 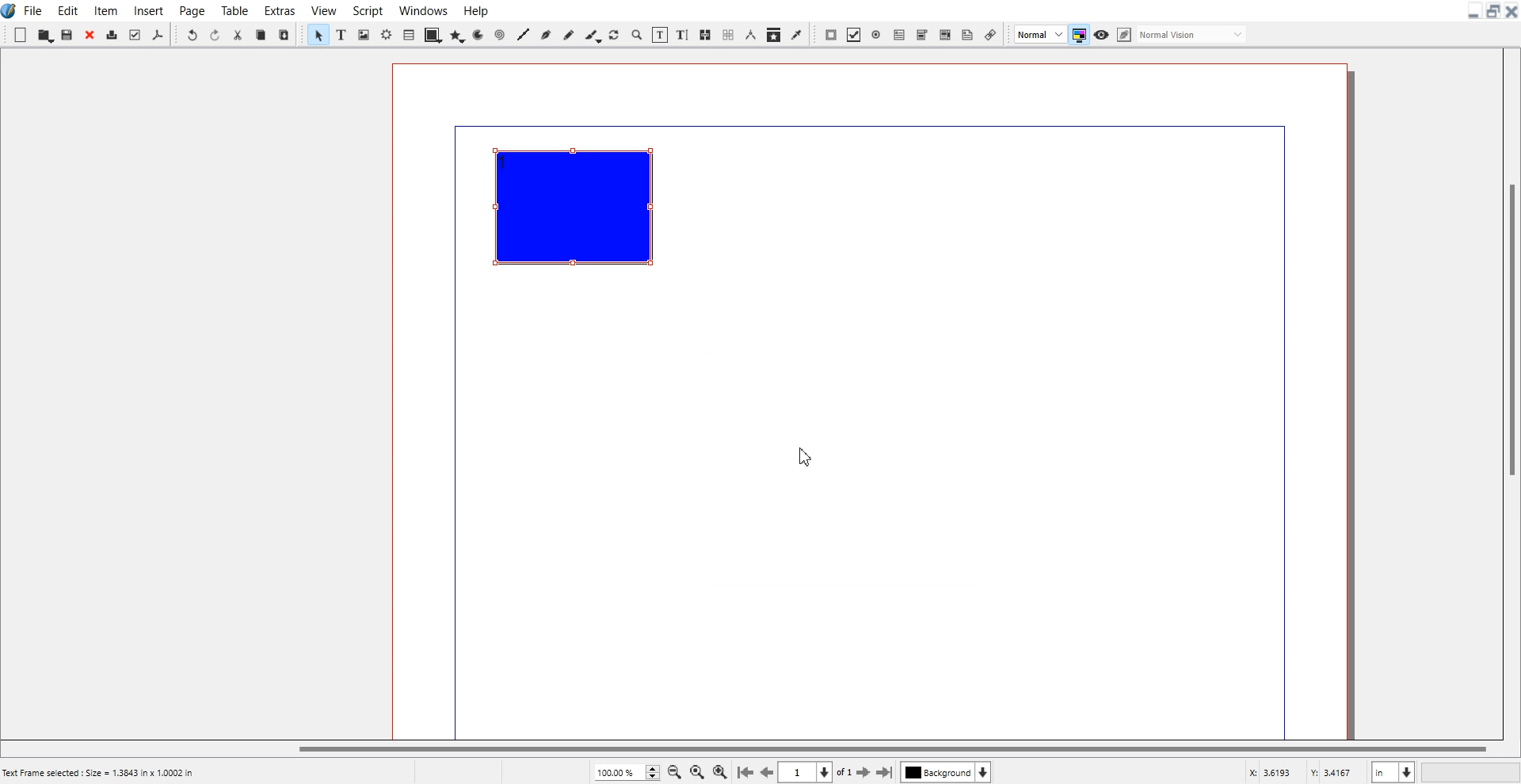 What do you see at coordinates (522, 34) in the screenshot?
I see `Line` at bounding box center [522, 34].